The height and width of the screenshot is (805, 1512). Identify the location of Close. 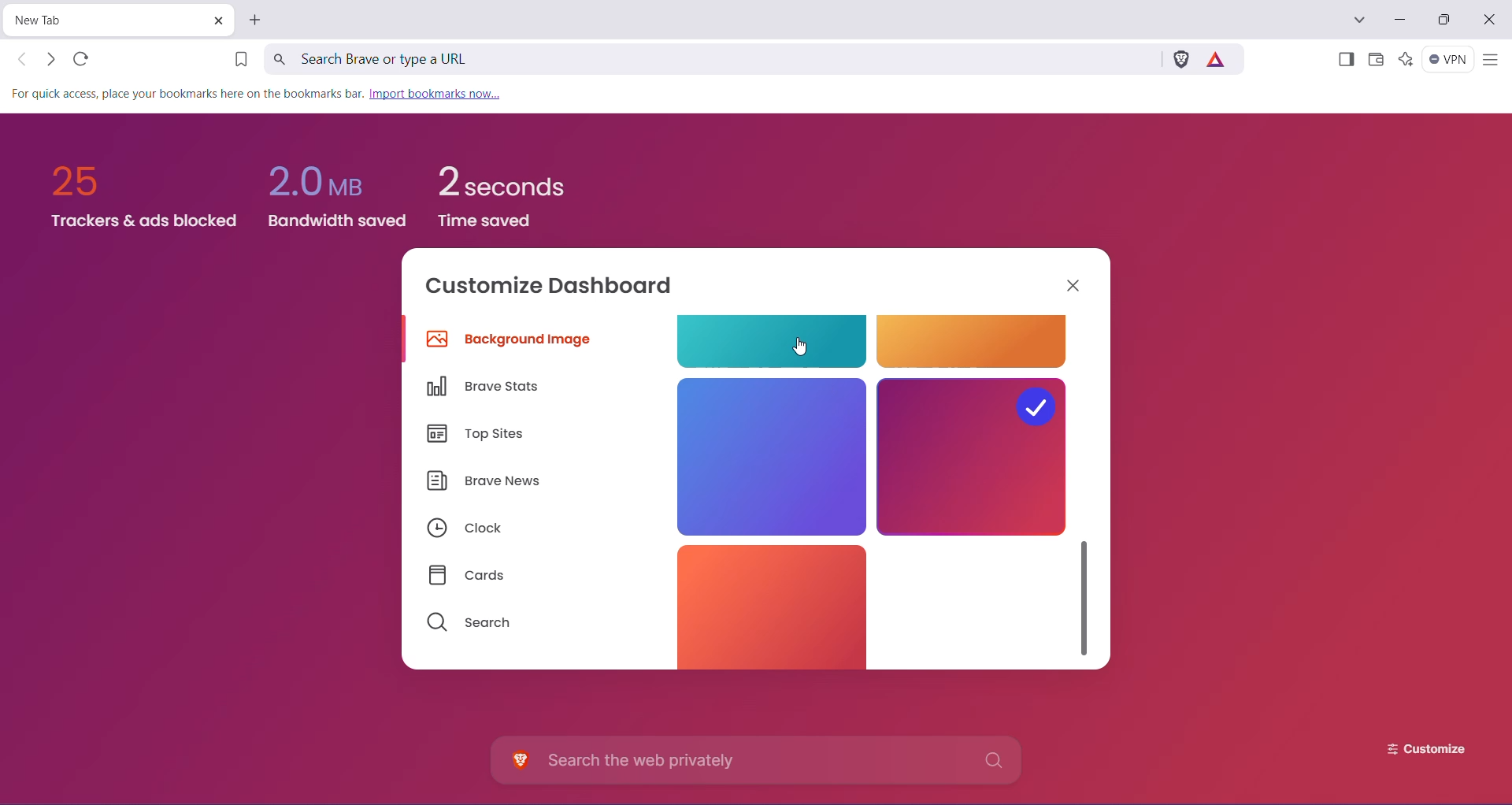
(1075, 284).